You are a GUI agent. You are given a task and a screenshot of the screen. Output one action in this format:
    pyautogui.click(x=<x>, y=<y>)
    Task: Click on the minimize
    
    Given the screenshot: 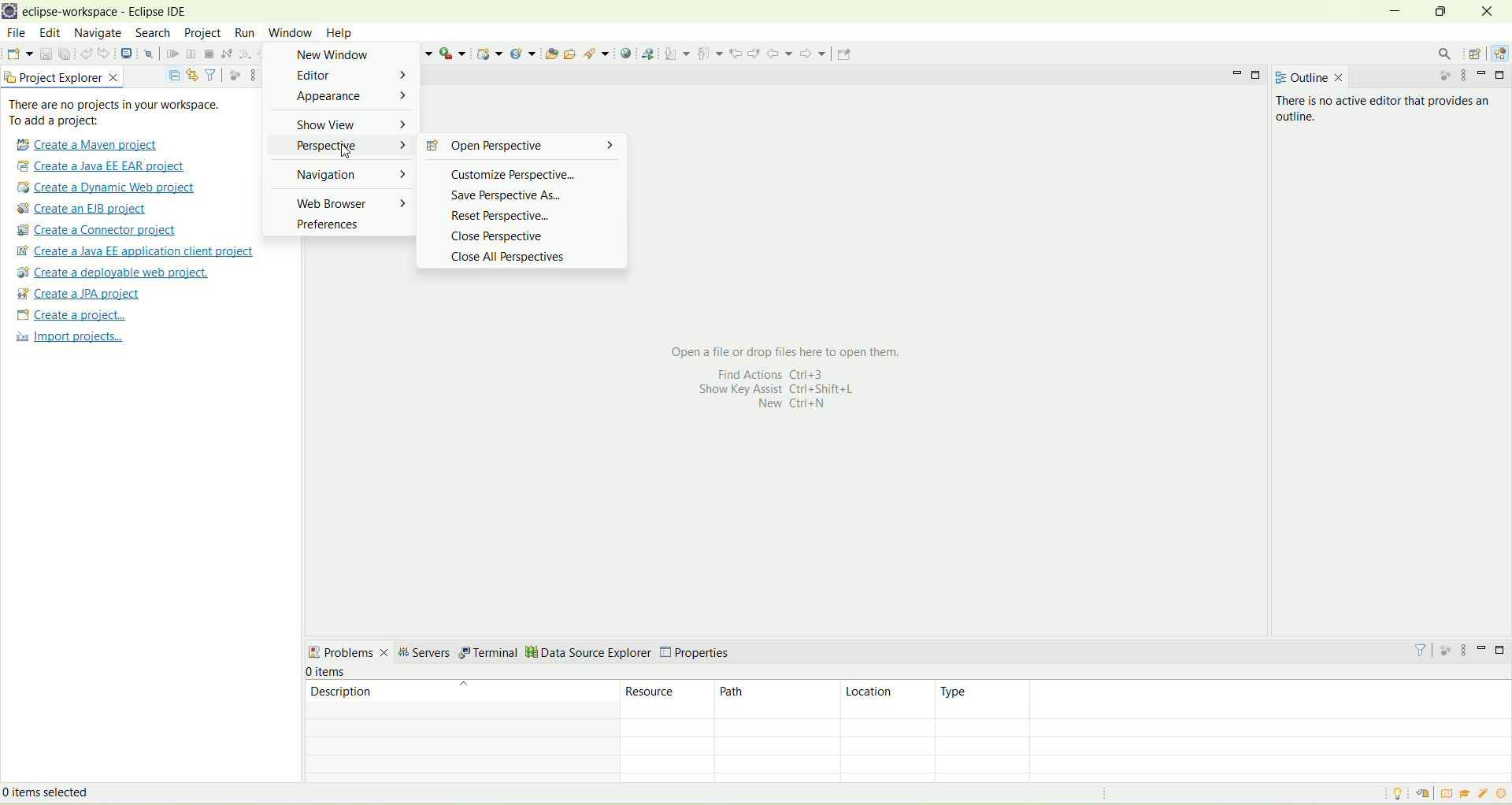 What is the action you would take?
    pyautogui.click(x=1235, y=73)
    